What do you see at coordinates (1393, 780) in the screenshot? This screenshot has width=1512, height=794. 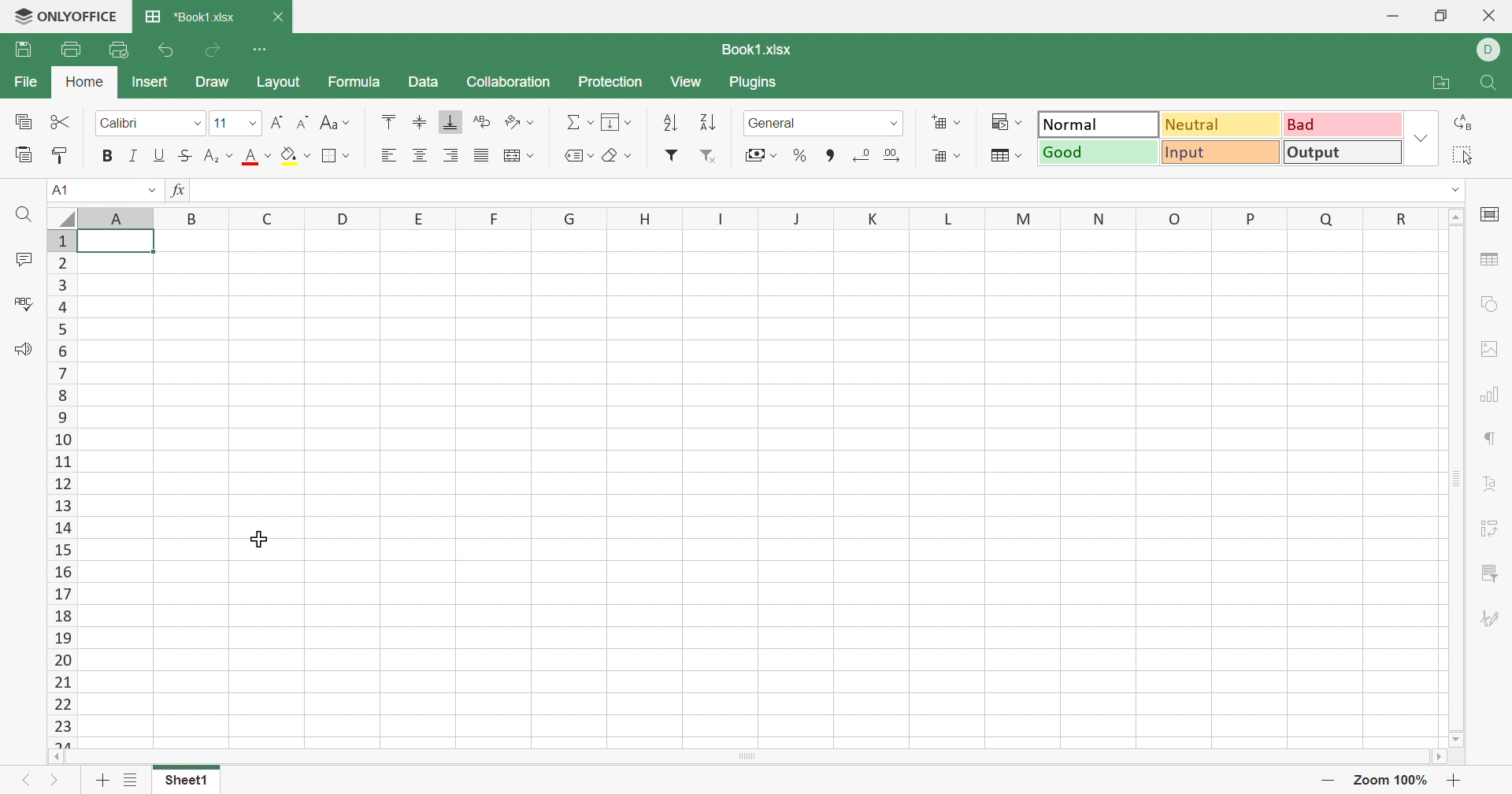 I see `Zoom 100%` at bounding box center [1393, 780].